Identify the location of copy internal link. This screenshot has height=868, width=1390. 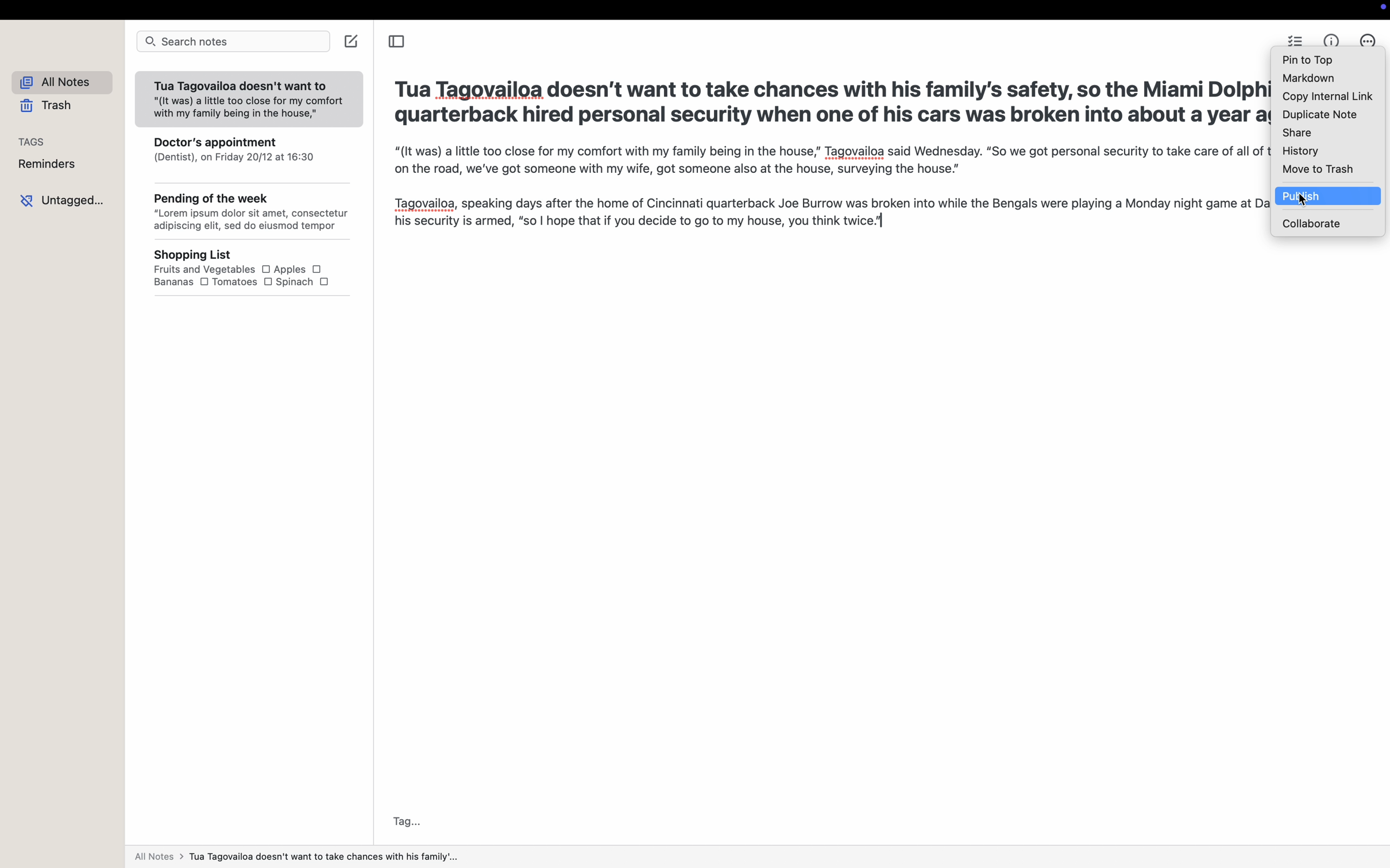
(1328, 98).